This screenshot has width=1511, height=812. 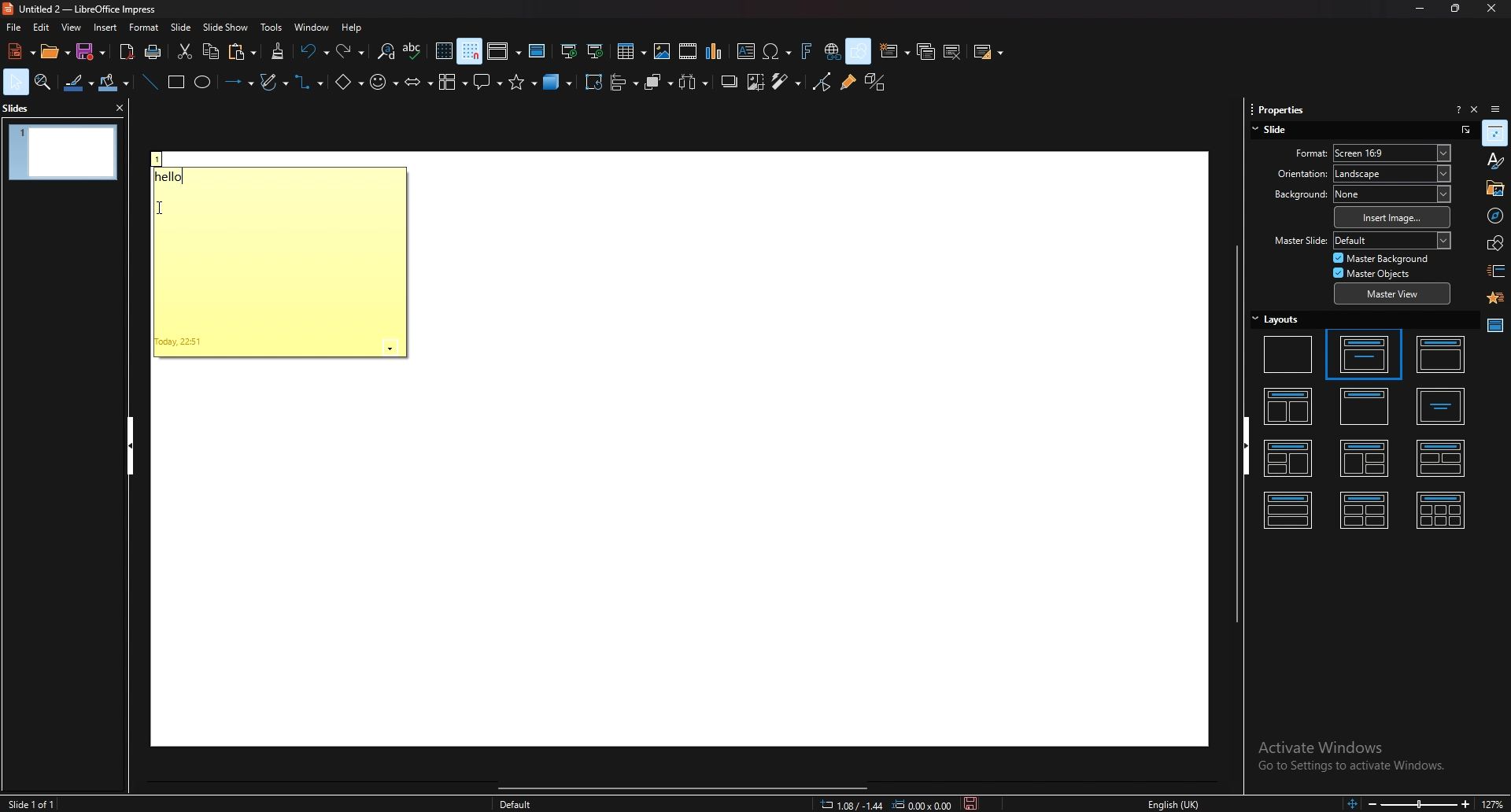 What do you see at coordinates (15, 27) in the screenshot?
I see `file` at bounding box center [15, 27].